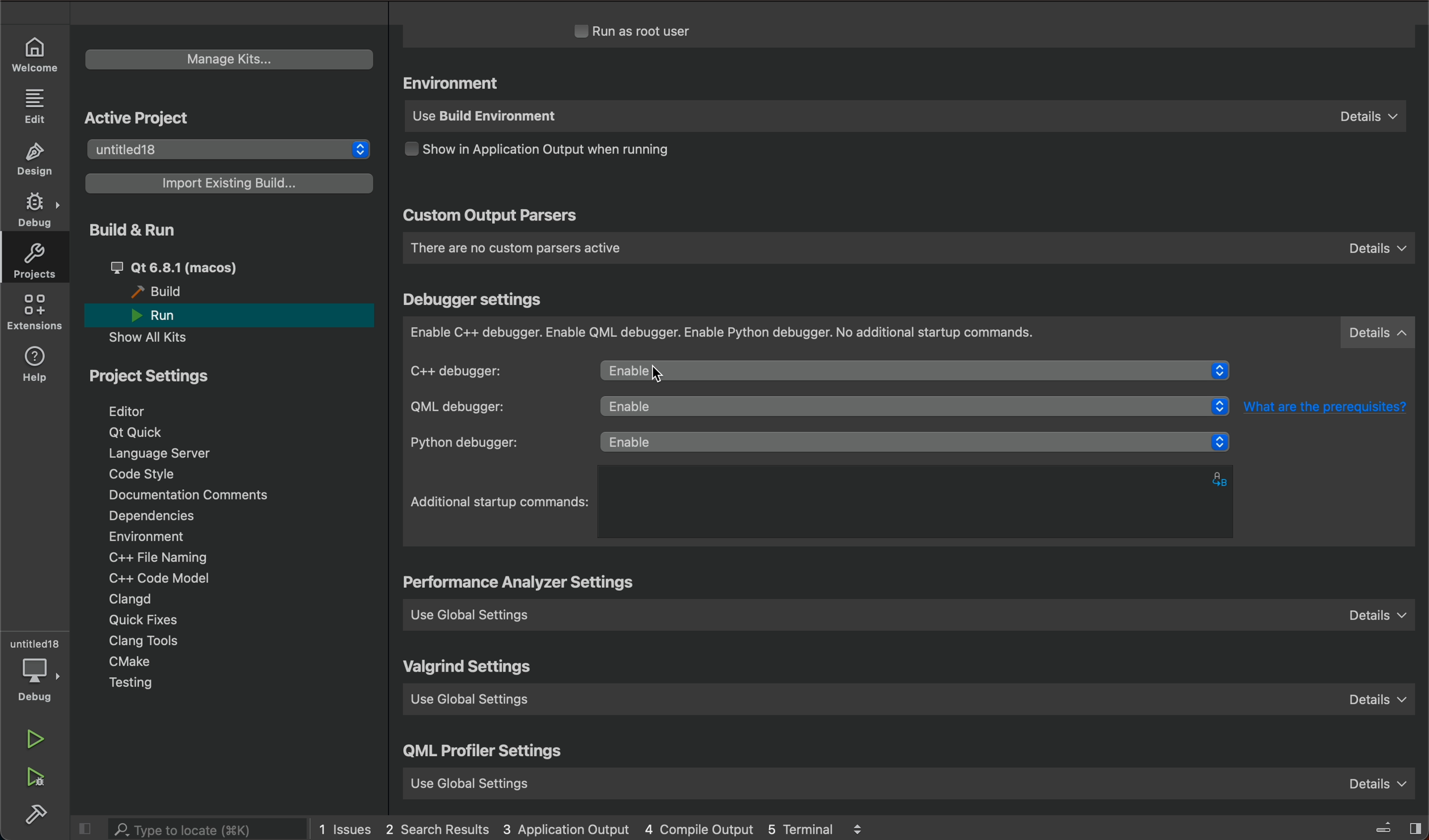 Image resolution: width=1429 pixels, height=840 pixels. I want to click on run debug, so click(38, 778).